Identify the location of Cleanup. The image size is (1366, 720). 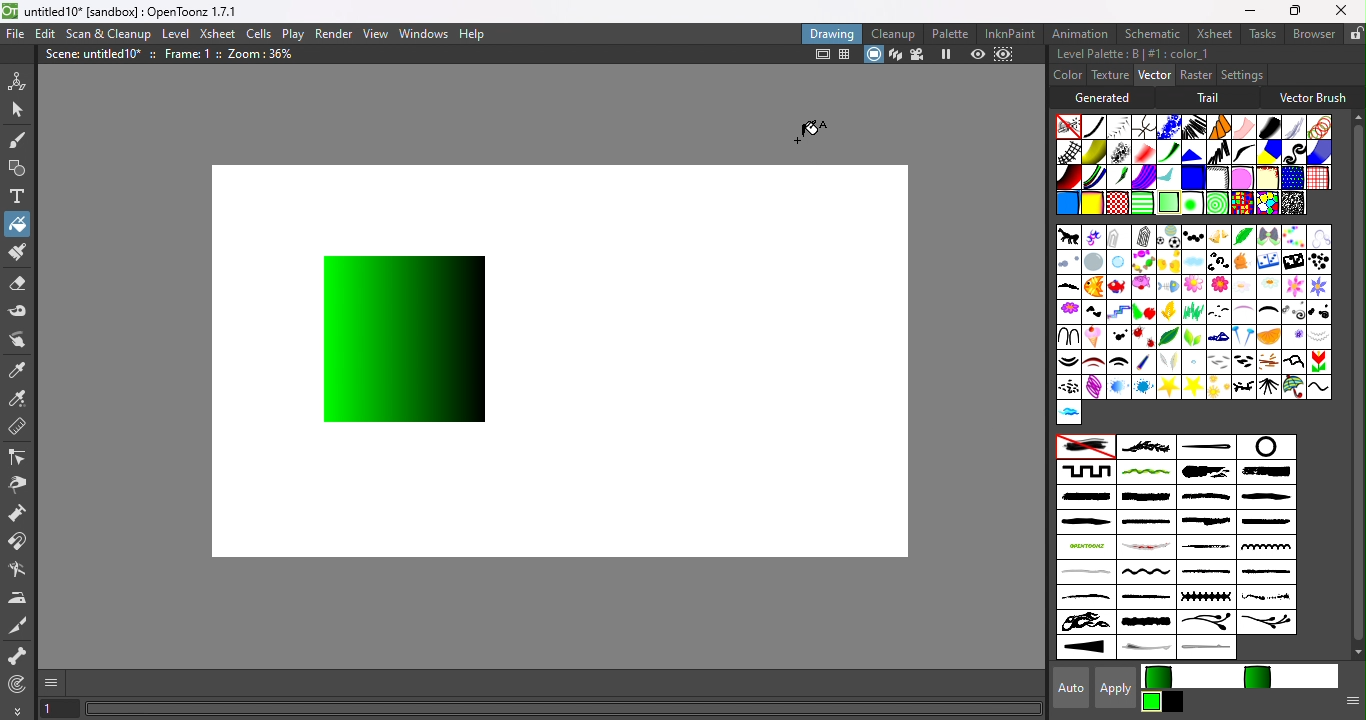
(893, 33).